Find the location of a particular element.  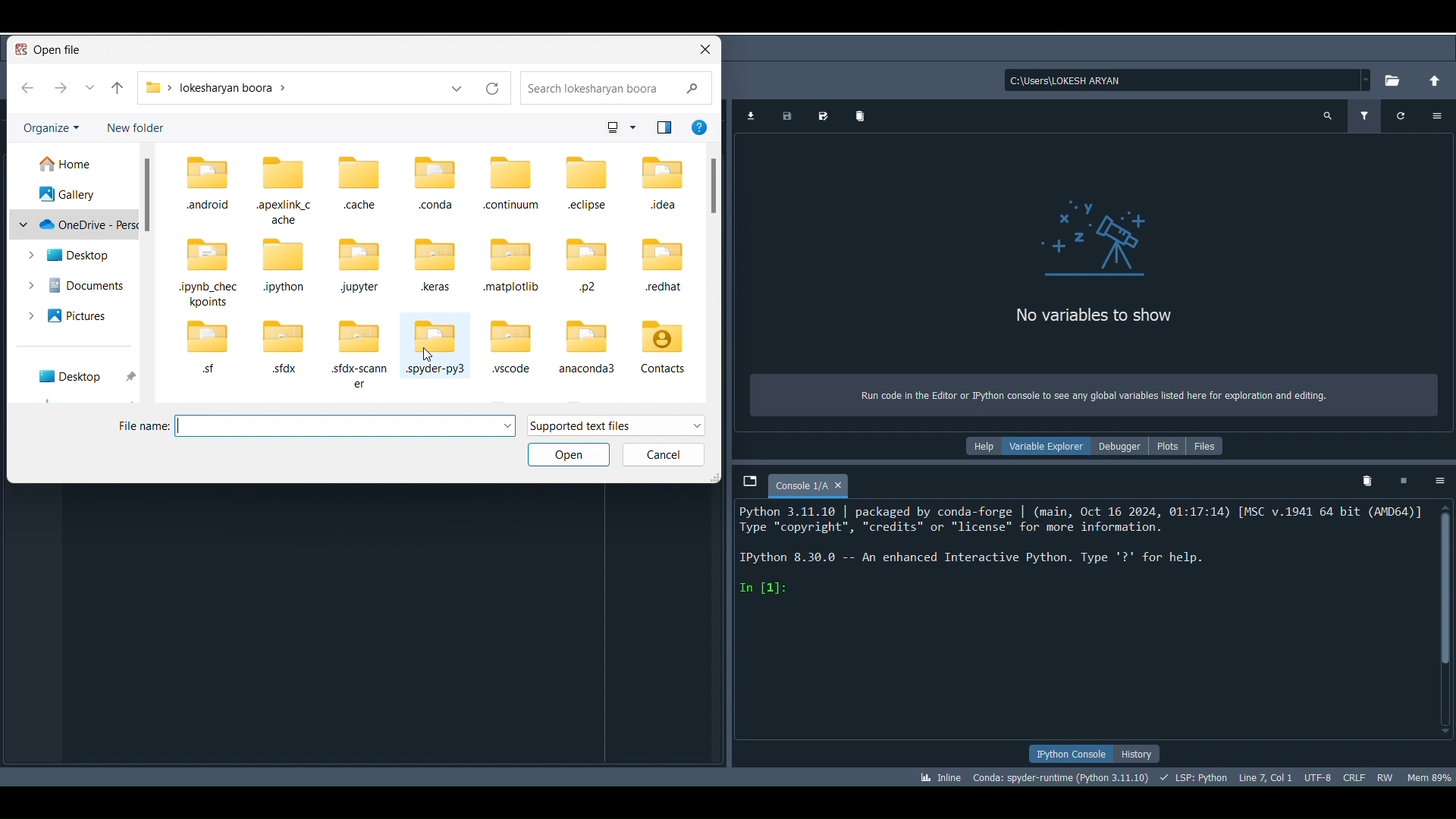

View More is located at coordinates (90, 87).